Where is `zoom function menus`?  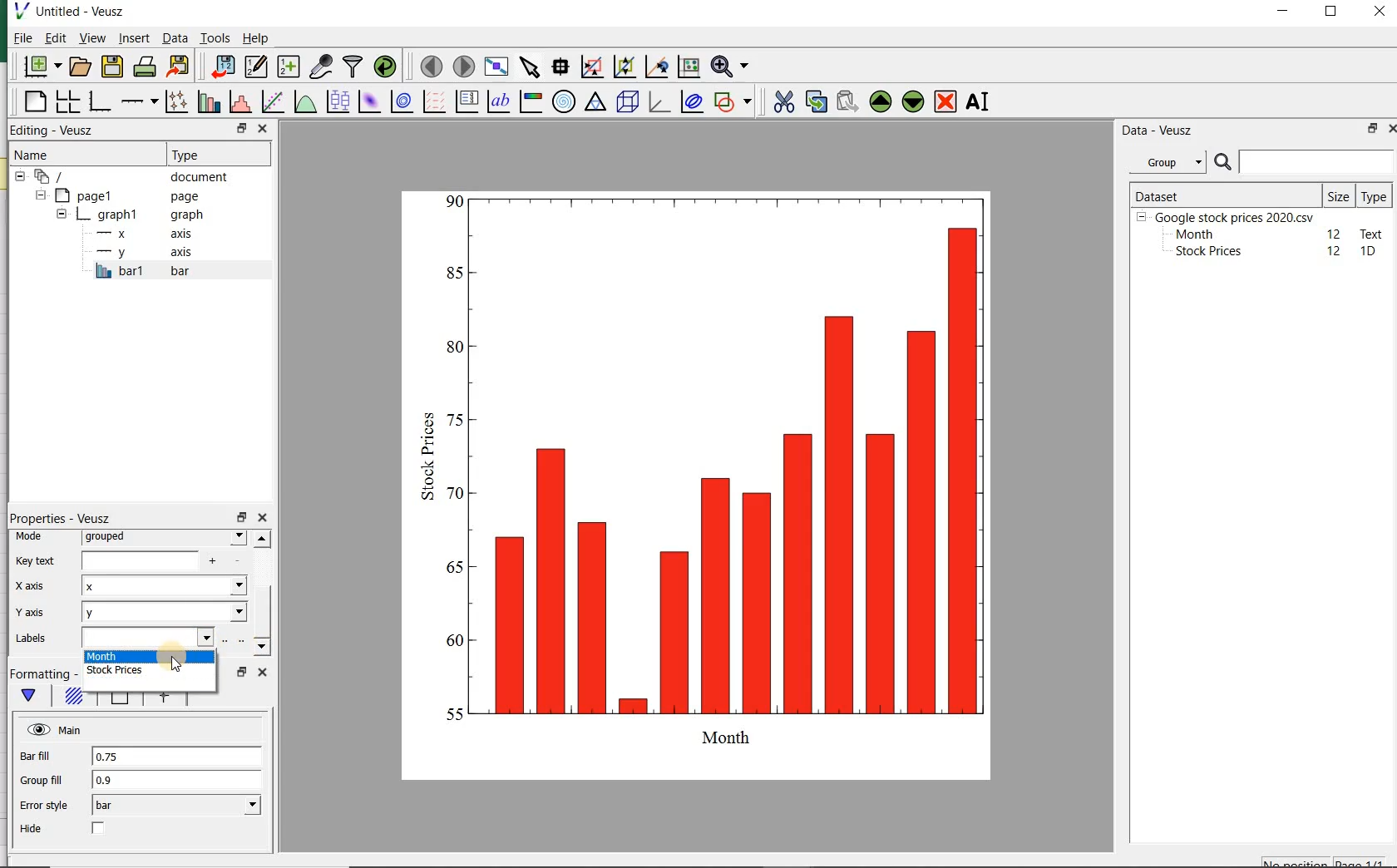 zoom function menus is located at coordinates (733, 67).